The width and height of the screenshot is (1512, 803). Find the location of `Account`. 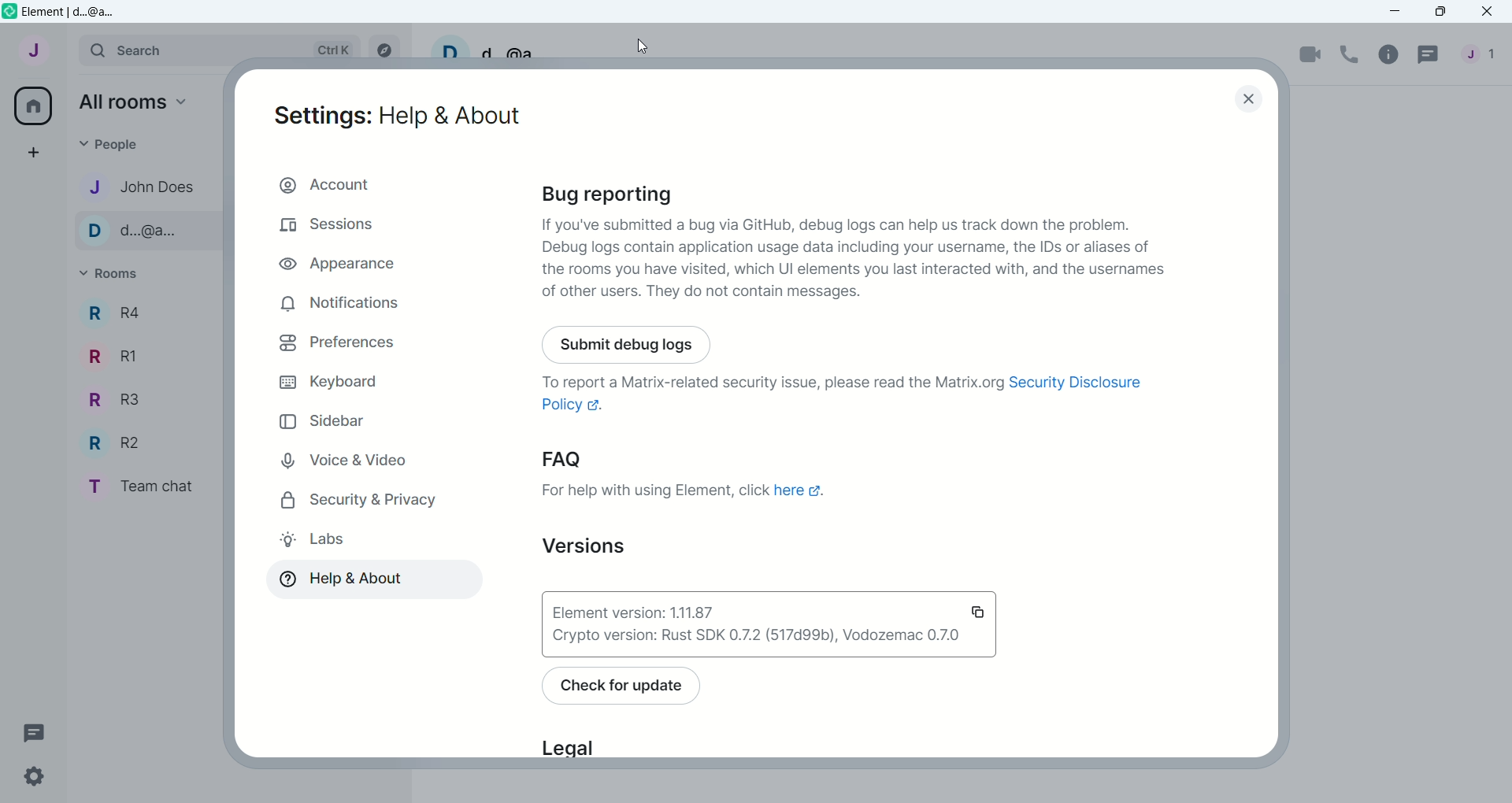

Account is located at coordinates (328, 184).